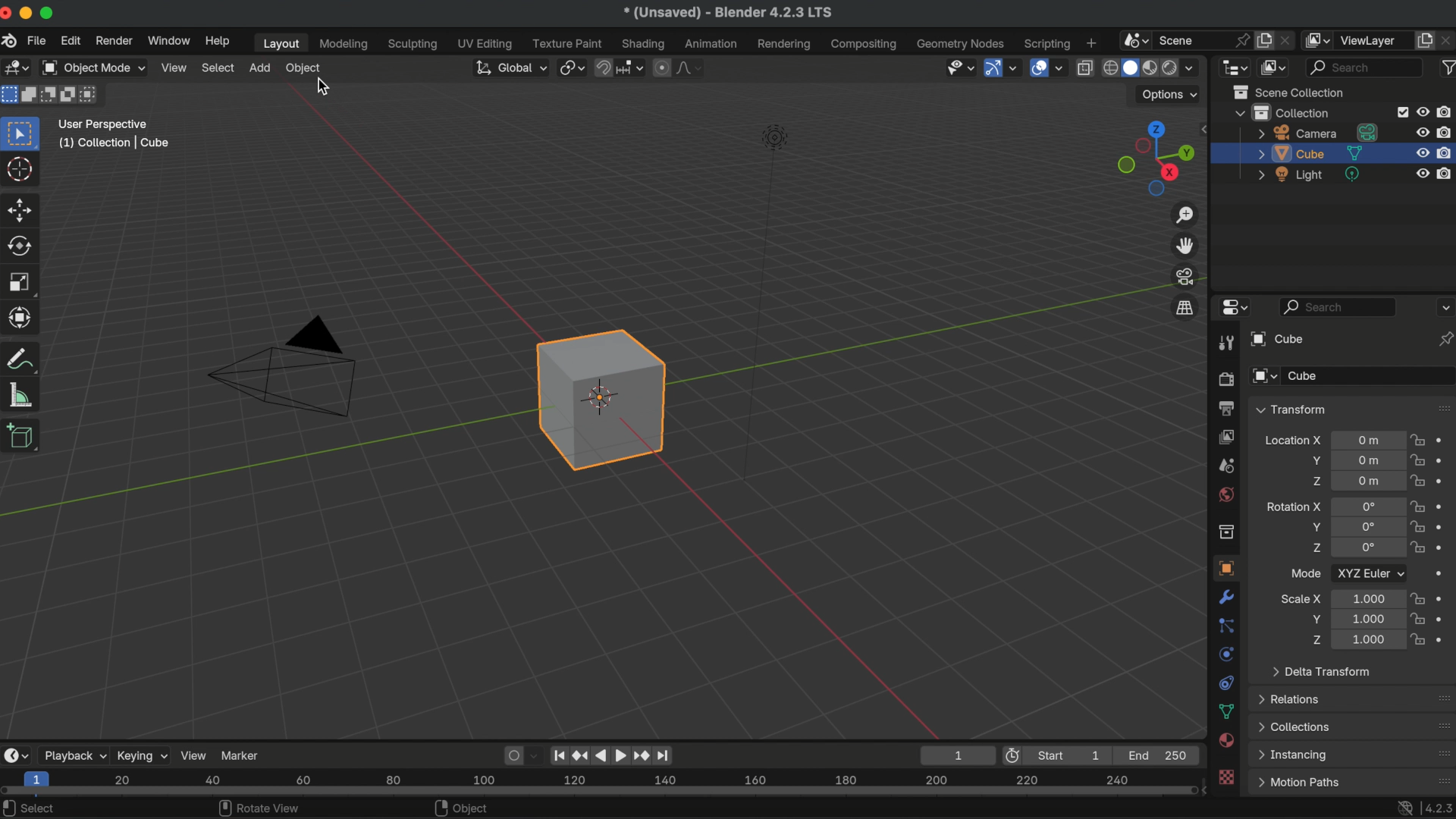 The image size is (1456, 819). Describe the element at coordinates (1368, 549) in the screenshot. I see `euler rotation` at that location.